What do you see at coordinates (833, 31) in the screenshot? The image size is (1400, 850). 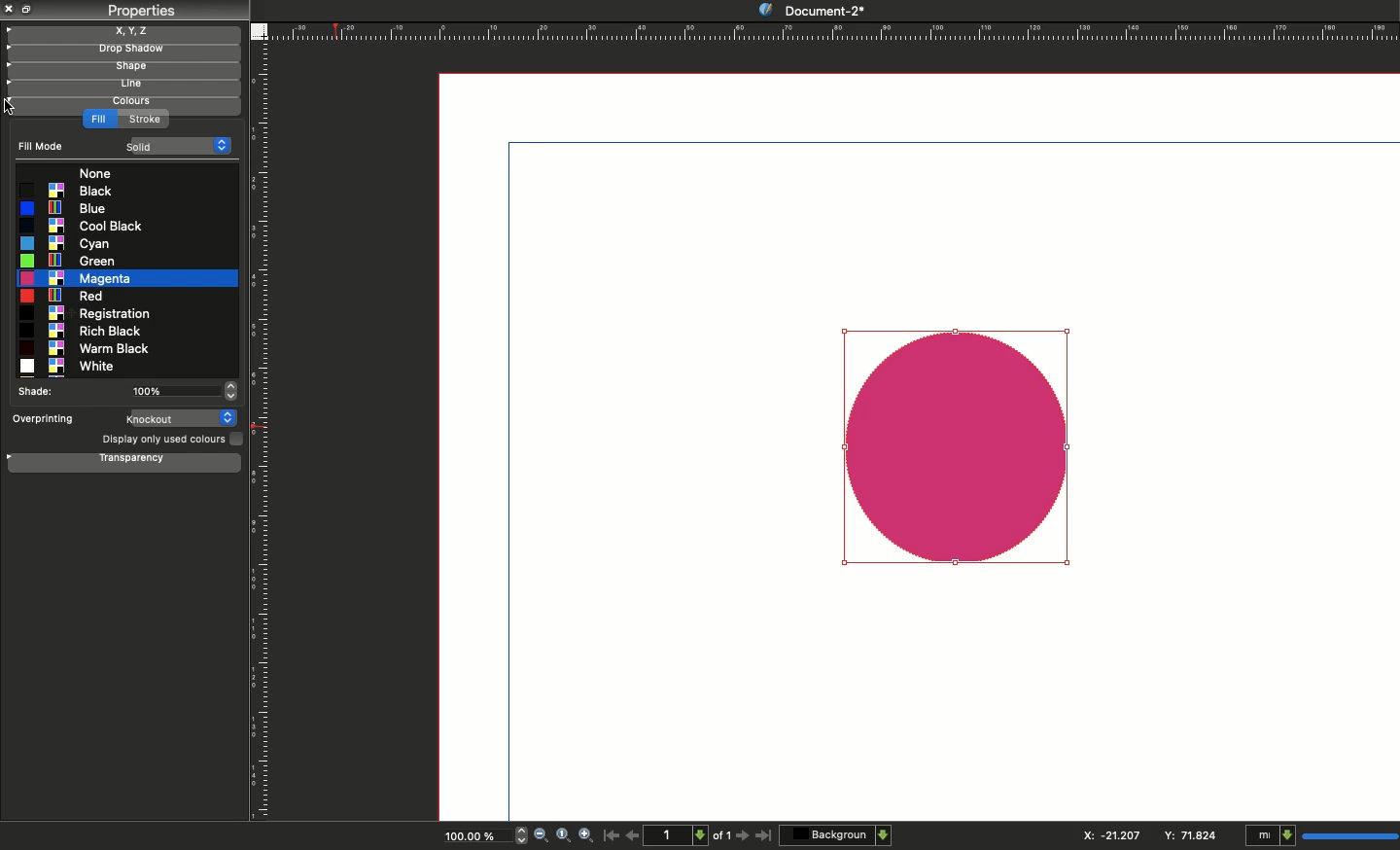 I see `Ruler` at bounding box center [833, 31].